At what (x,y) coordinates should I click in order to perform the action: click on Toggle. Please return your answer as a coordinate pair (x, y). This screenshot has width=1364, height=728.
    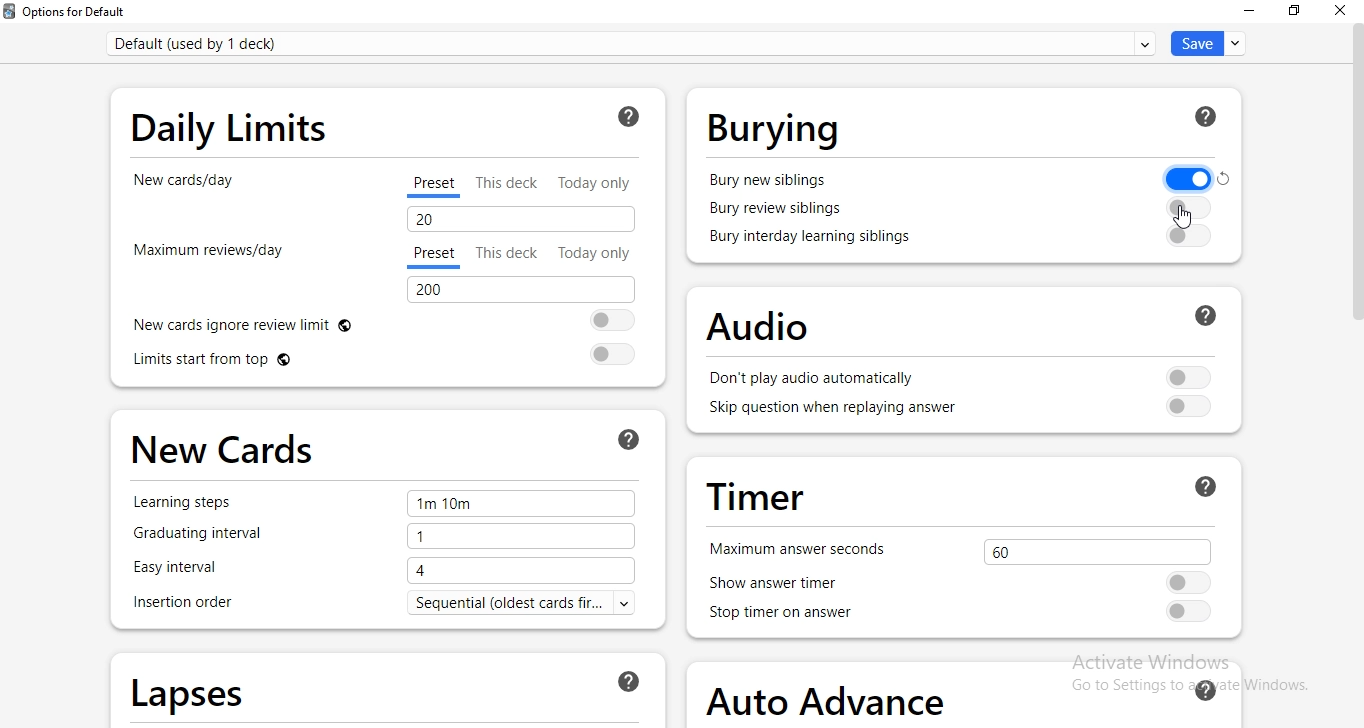
    Looking at the image, I should click on (1191, 375).